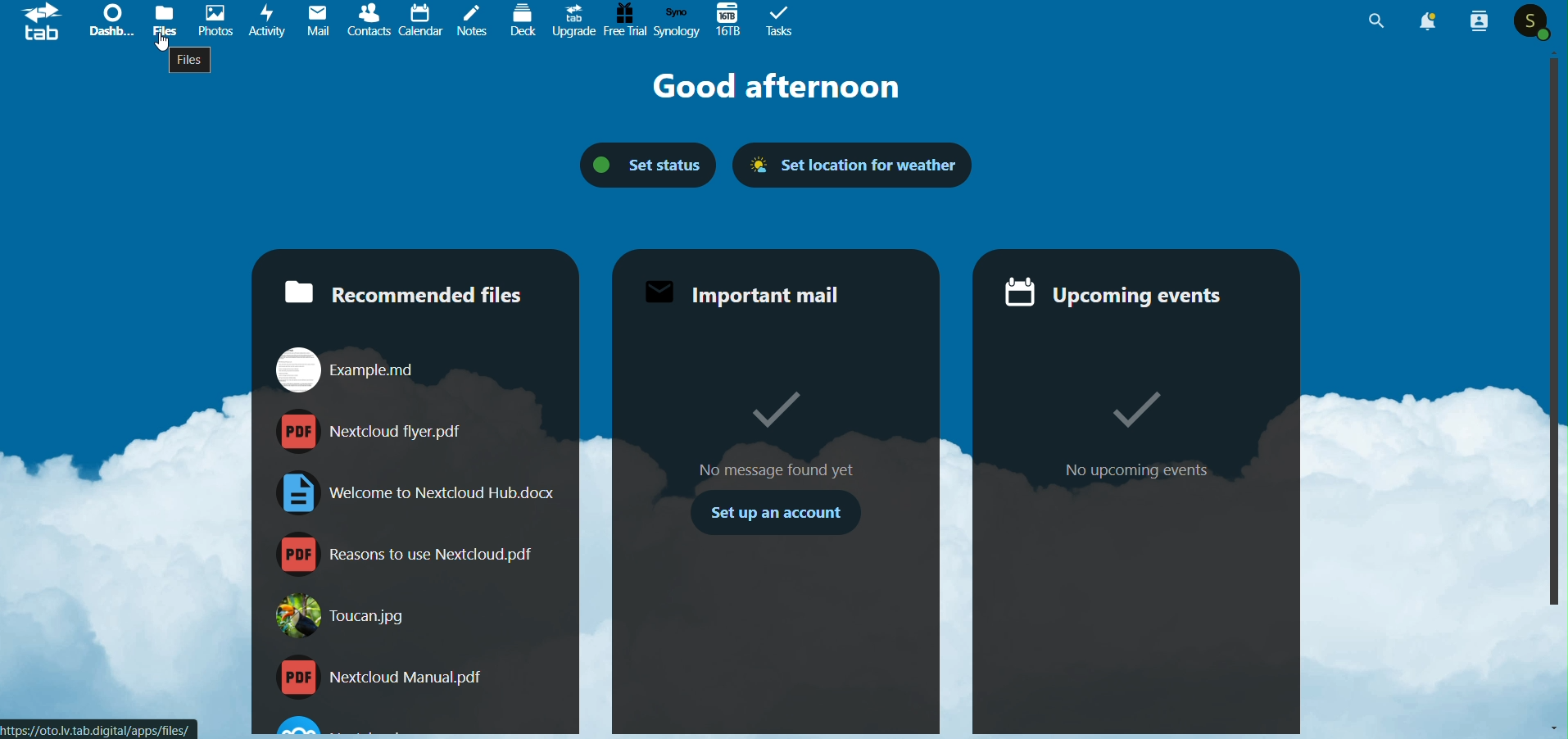 The width and height of the screenshot is (1568, 739). Describe the element at coordinates (1428, 21) in the screenshot. I see `Notification` at that location.